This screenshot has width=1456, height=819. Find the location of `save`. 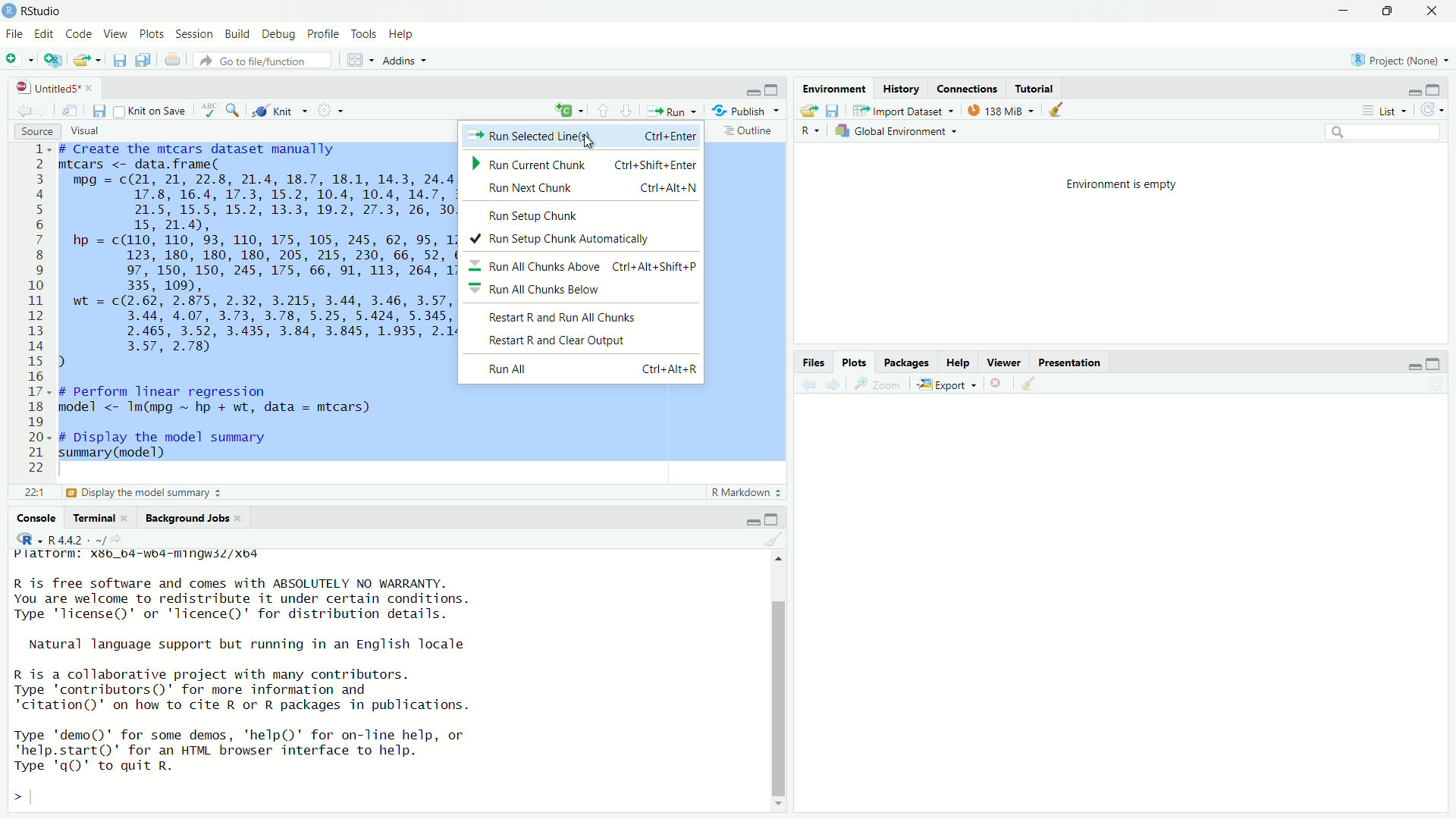

save is located at coordinates (121, 58).